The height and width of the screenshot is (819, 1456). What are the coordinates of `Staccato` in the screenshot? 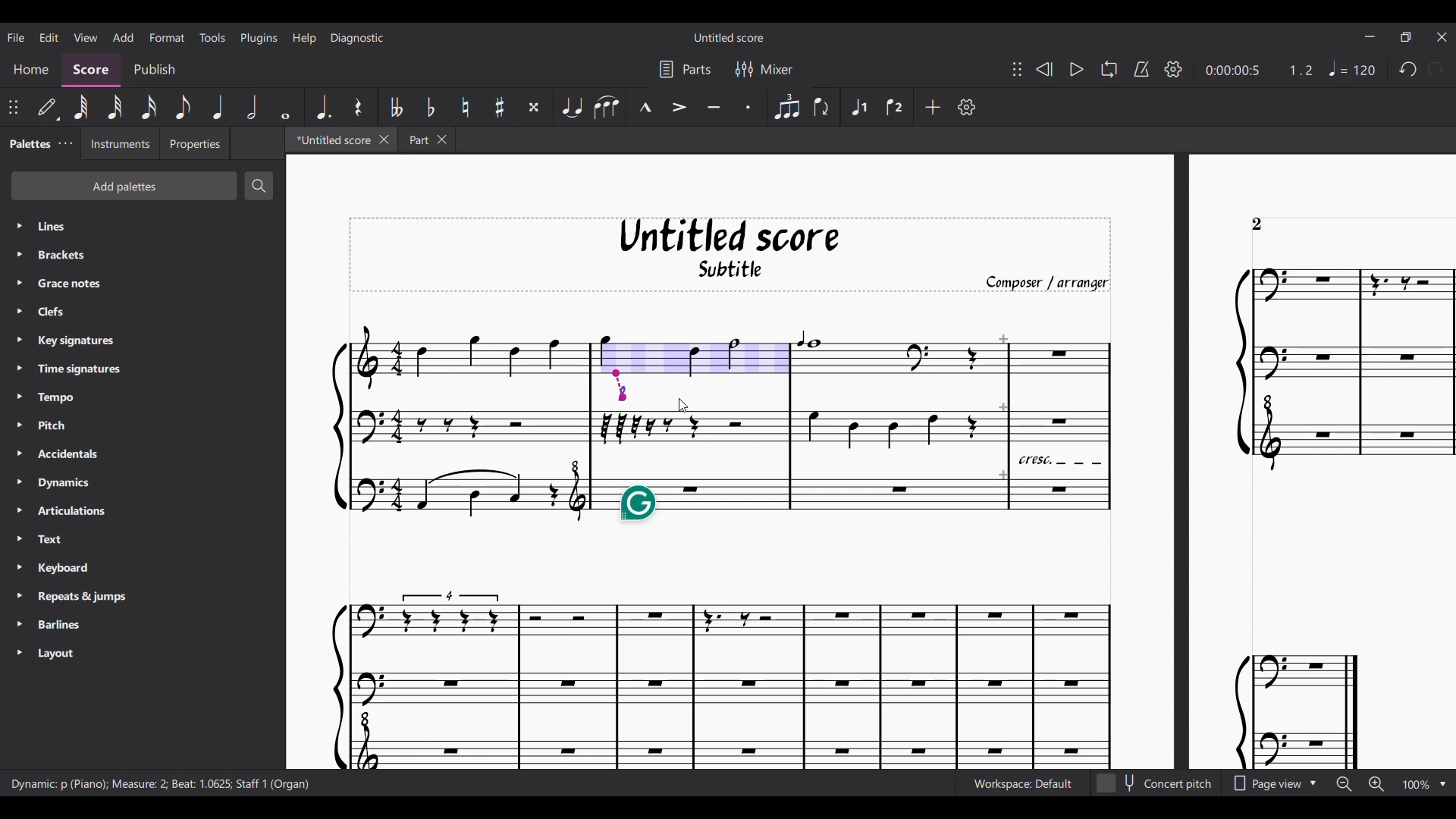 It's located at (749, 106).